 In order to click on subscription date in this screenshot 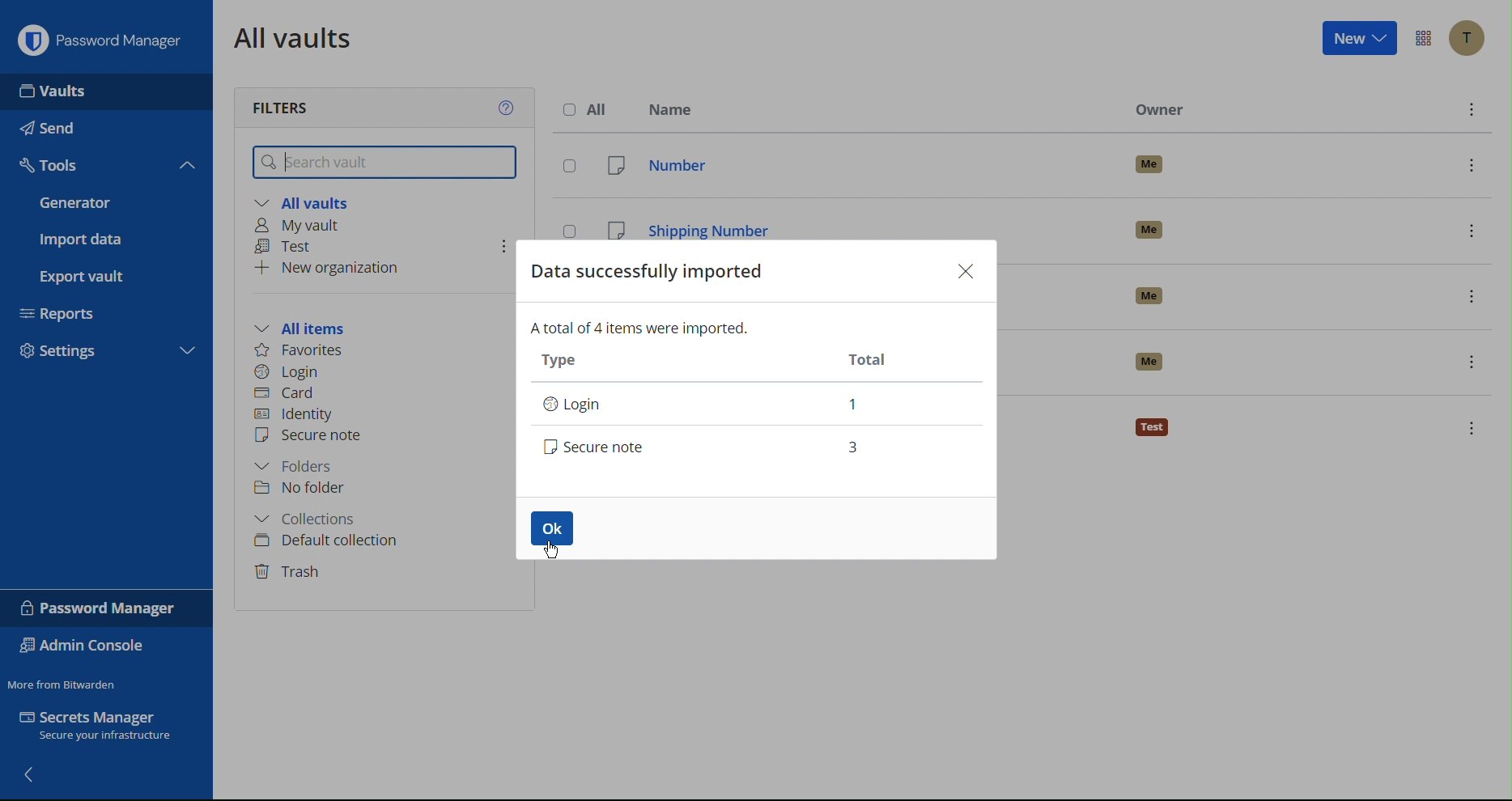, I will do `click(1054, 296)`.